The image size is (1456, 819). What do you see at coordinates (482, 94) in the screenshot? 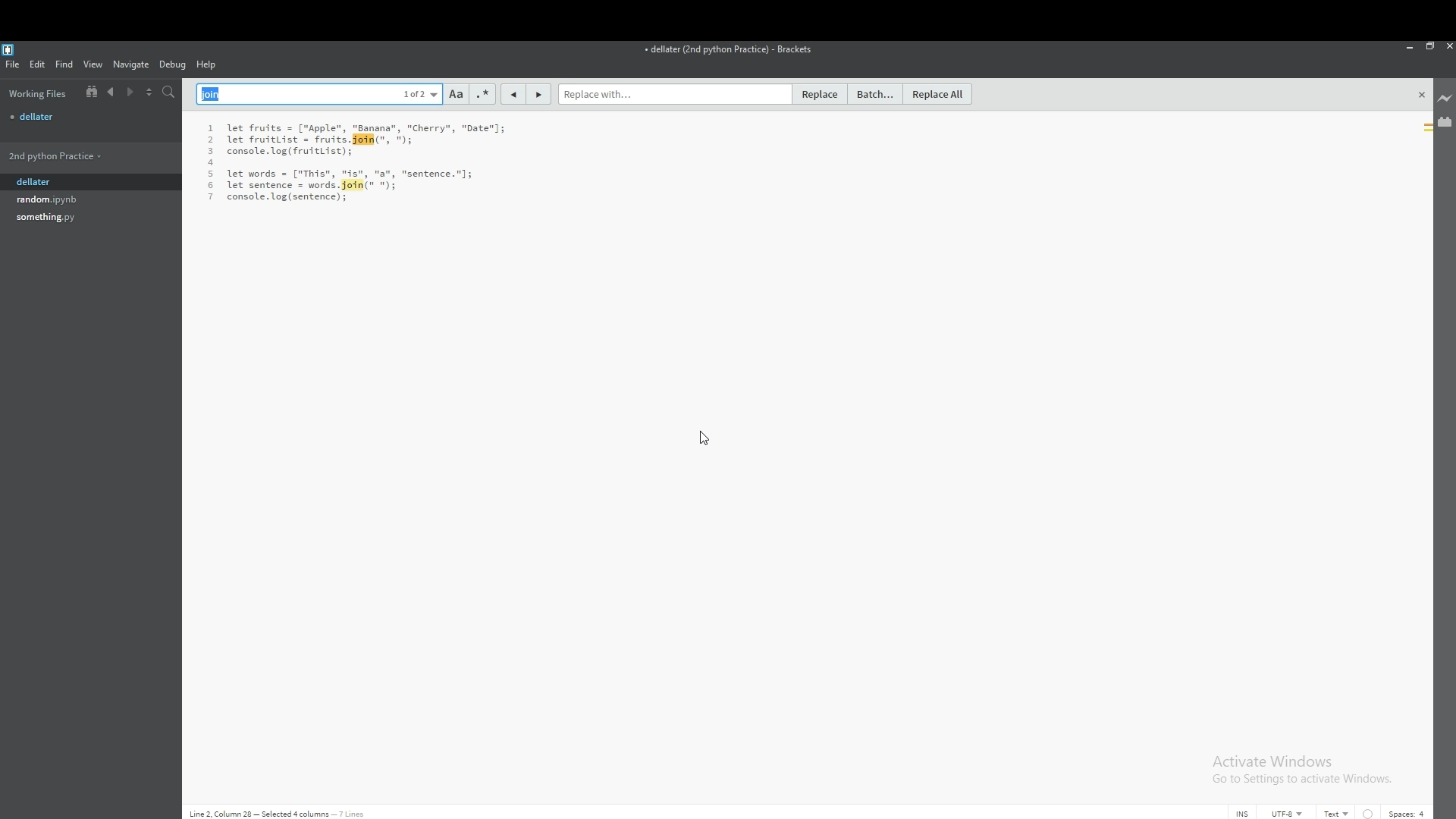
I see `regex` at bounding box center [482, 94].